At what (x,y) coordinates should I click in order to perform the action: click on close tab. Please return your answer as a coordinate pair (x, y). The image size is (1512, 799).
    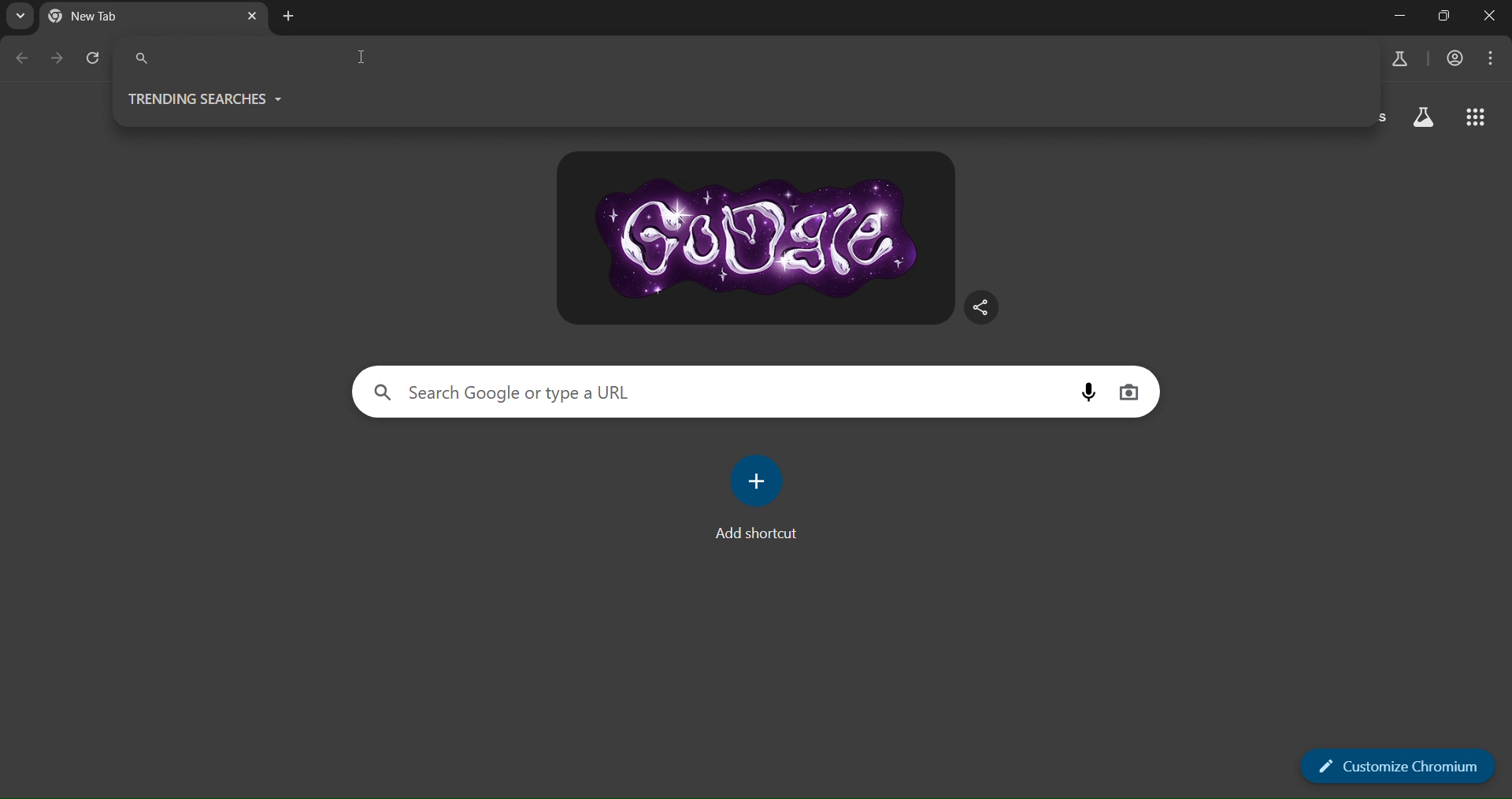
    Looking at the image, I should click on (252, 16).